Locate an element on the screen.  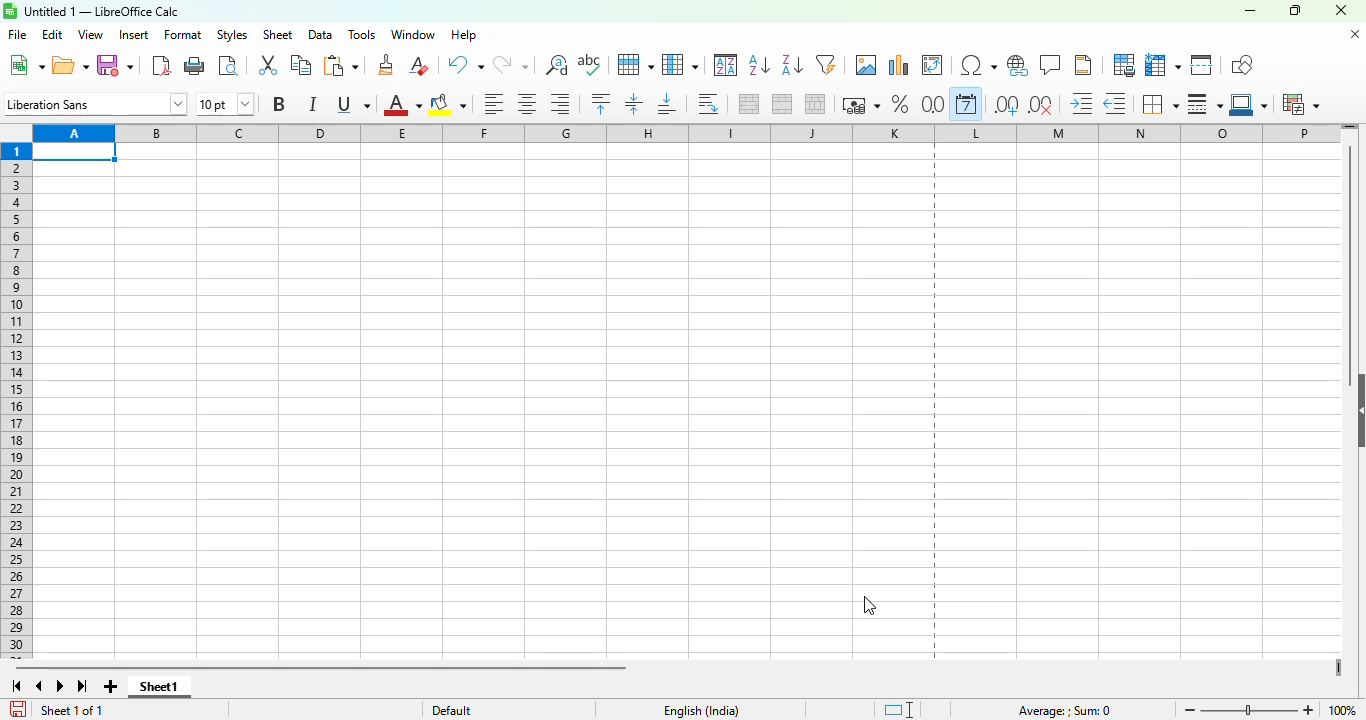
clear direct formatting is located at coordinates (419, 65).